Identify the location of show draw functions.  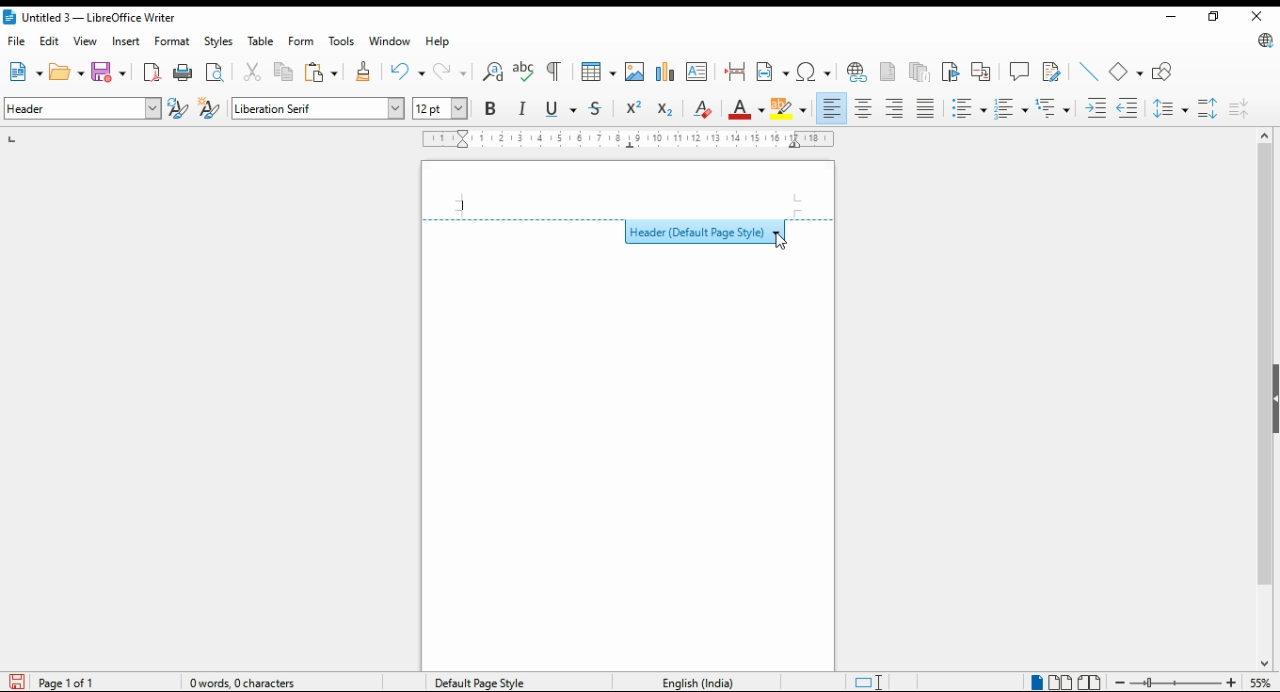
(1165, 72).